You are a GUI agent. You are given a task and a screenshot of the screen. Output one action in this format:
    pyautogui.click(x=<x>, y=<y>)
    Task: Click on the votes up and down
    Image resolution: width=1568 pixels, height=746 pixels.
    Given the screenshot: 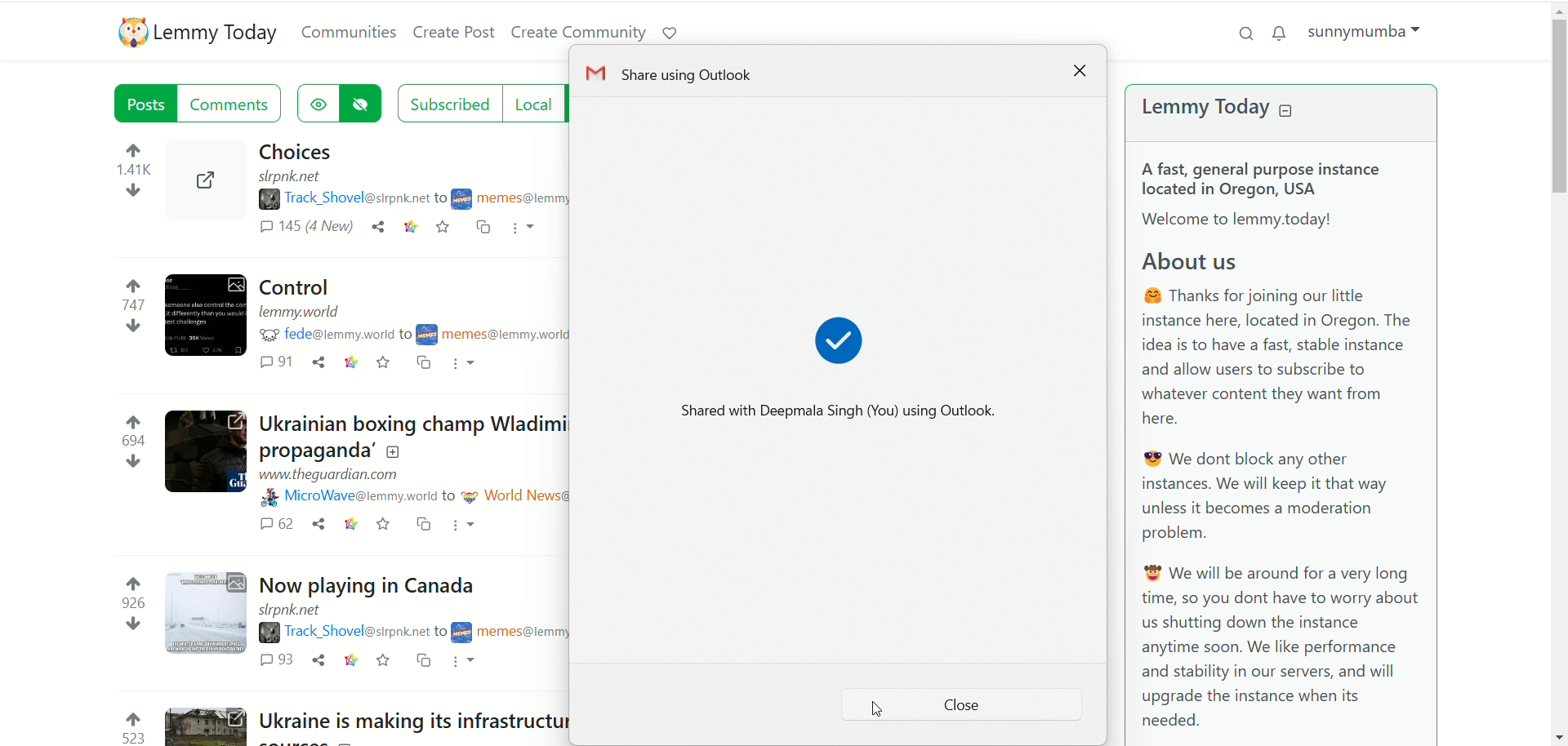 What is the action you would take?
    pyautogui.click(x=131, y=605)
    